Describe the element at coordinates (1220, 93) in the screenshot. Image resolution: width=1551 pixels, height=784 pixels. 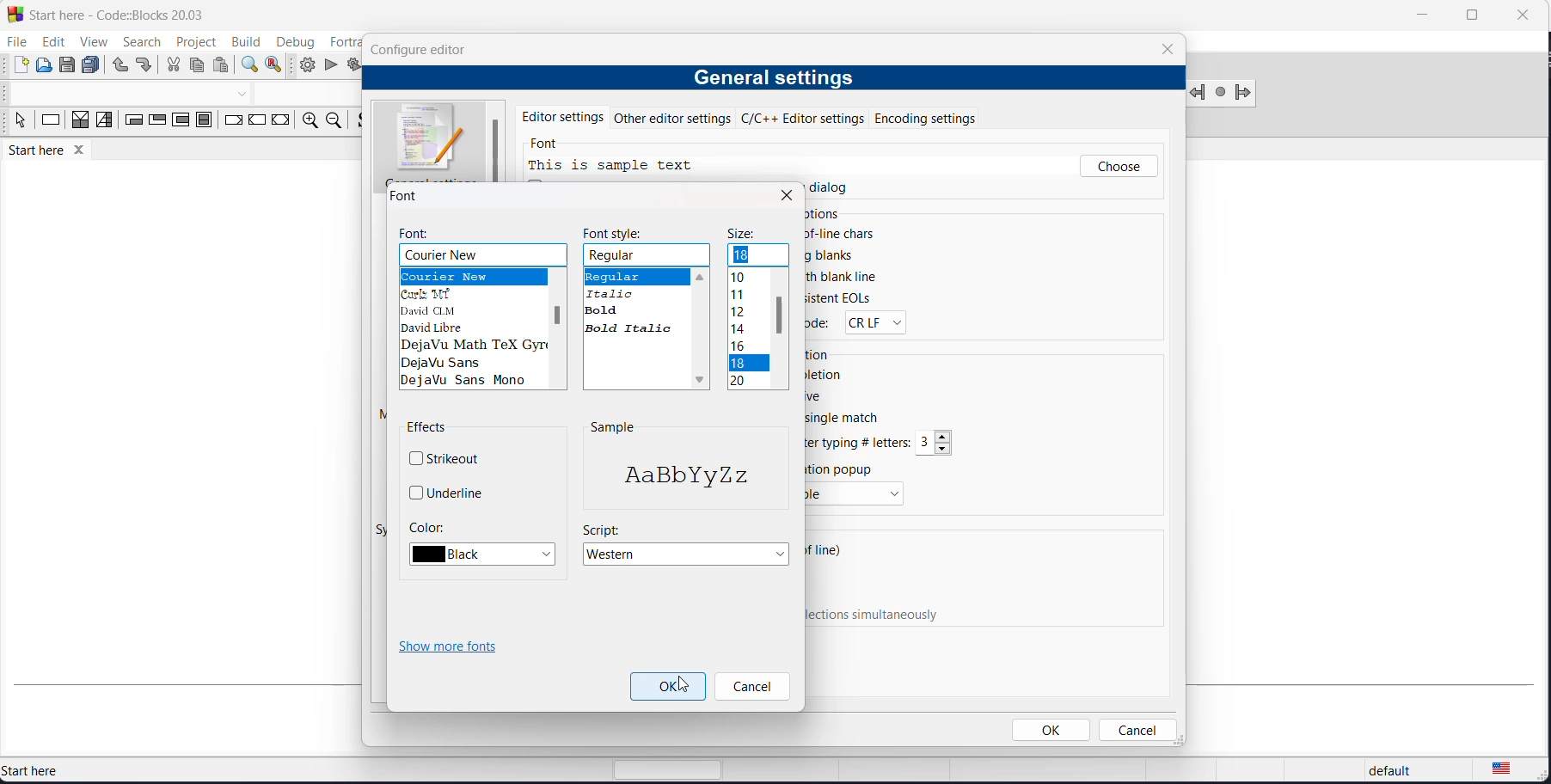
I see `jump next` at that location.